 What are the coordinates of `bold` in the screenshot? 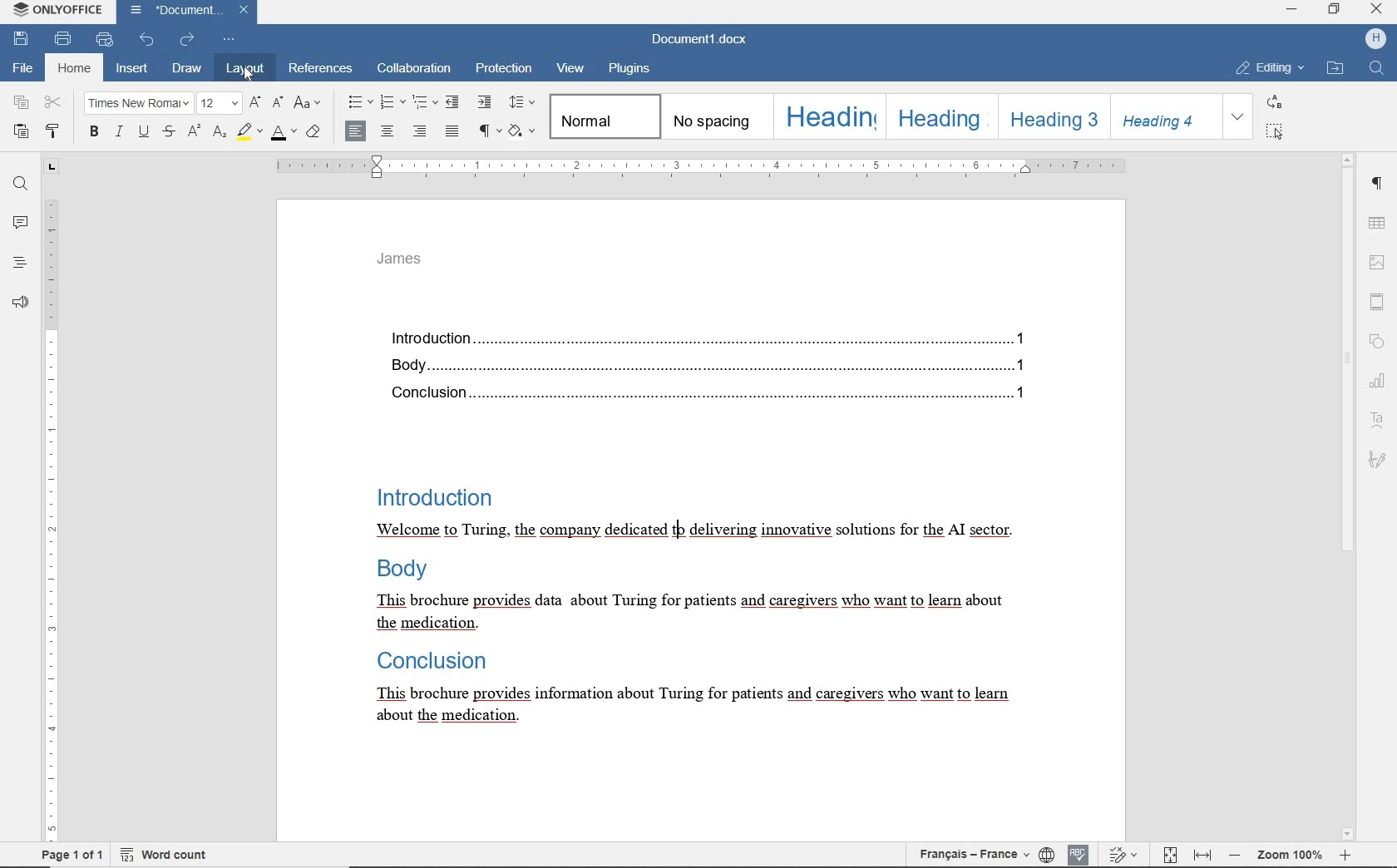 It's located at (91, 131).